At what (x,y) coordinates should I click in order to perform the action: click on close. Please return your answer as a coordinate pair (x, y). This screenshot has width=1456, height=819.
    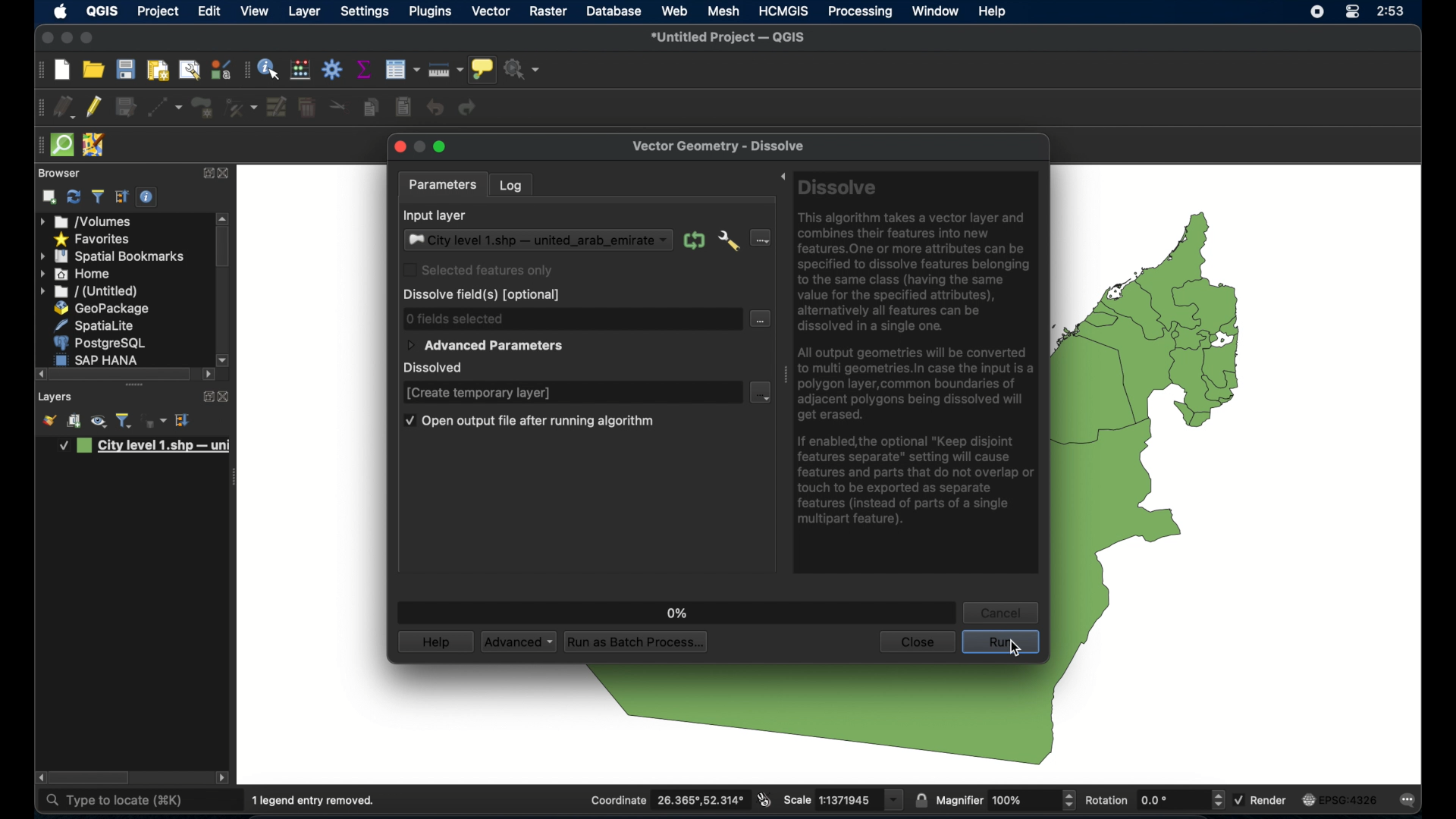
    Looking at the image, I should click on (398, 148).